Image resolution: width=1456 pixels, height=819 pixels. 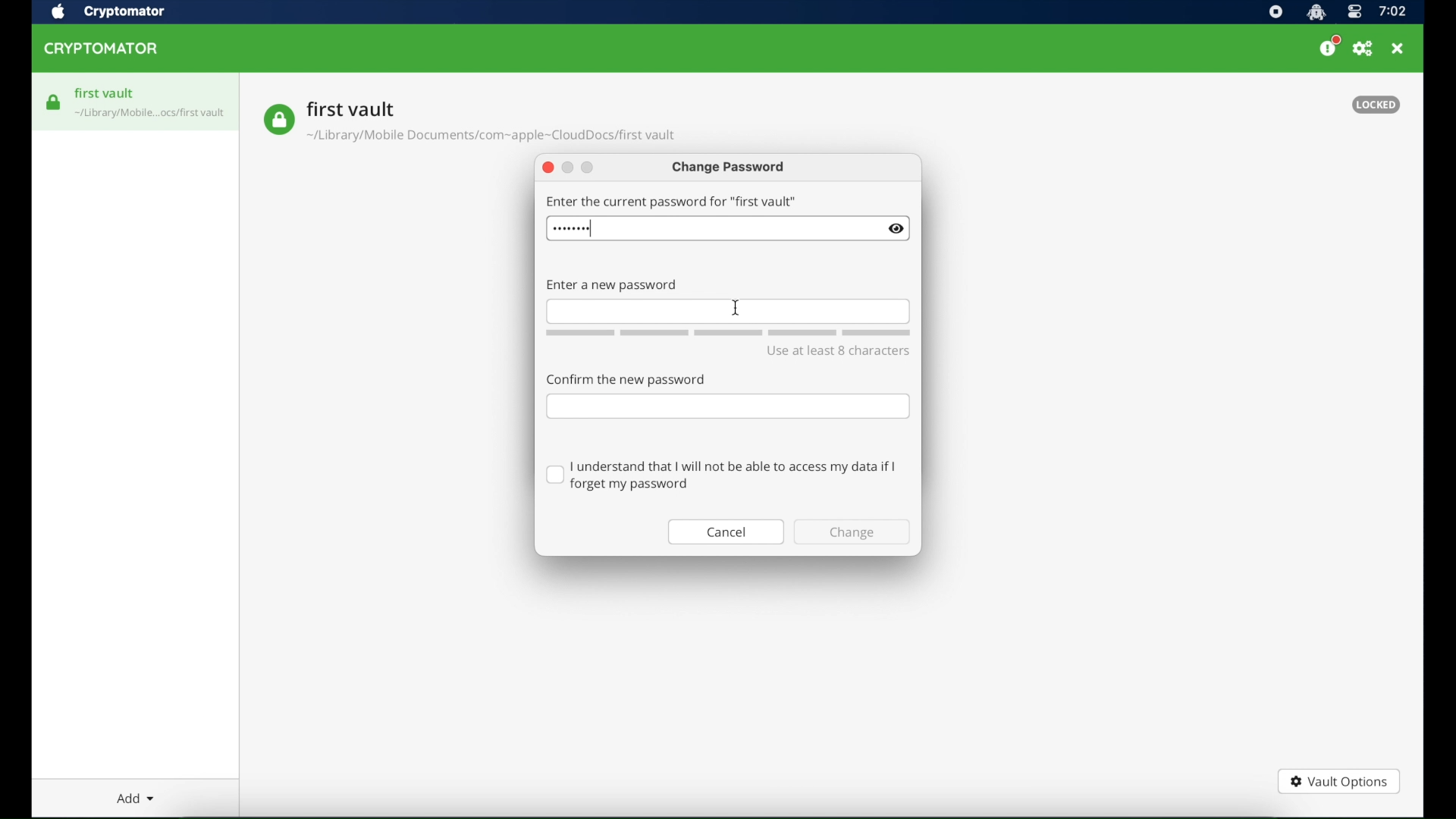 I want to click on maimize, so click(x=587, y=168).